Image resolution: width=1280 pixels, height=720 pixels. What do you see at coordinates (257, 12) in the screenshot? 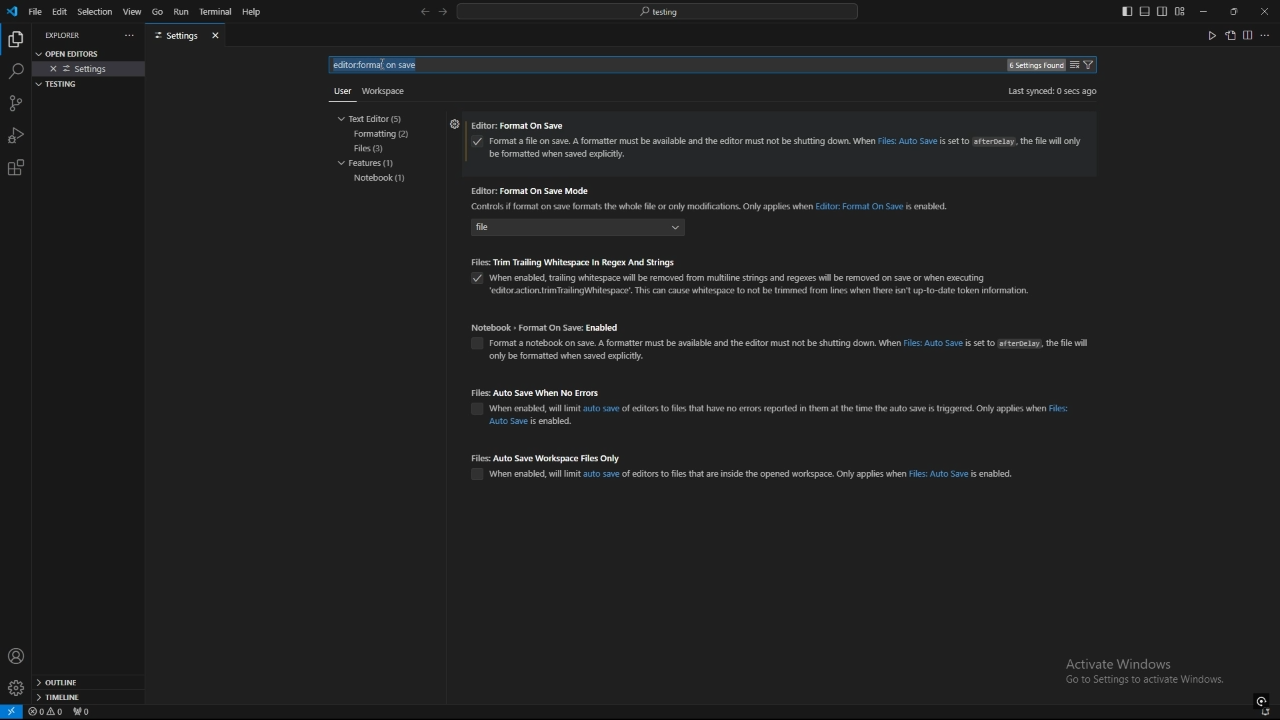
I see `help` at bounding box center [257, 12].